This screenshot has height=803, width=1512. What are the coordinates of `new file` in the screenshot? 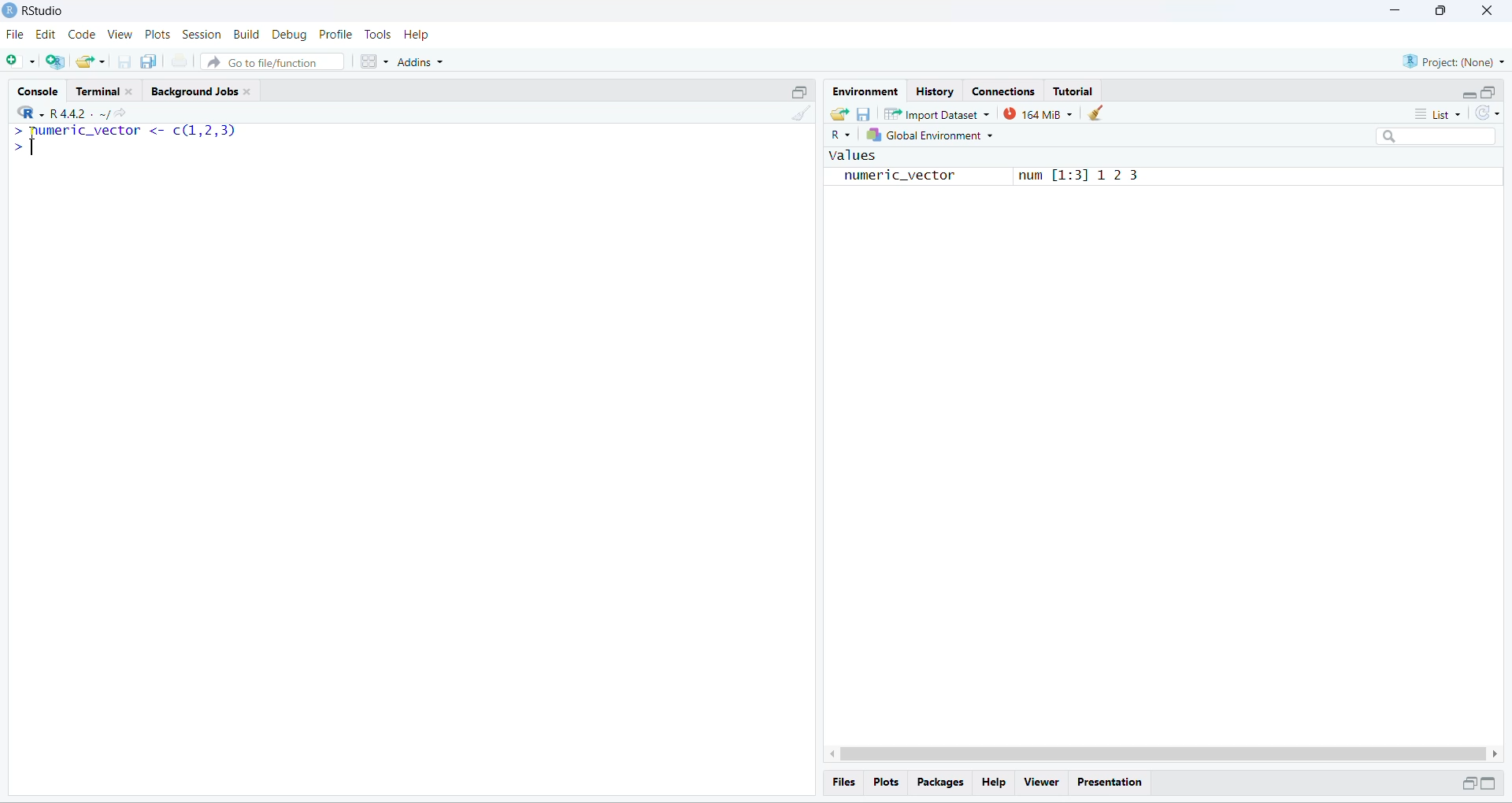 It's located at (17, 59).